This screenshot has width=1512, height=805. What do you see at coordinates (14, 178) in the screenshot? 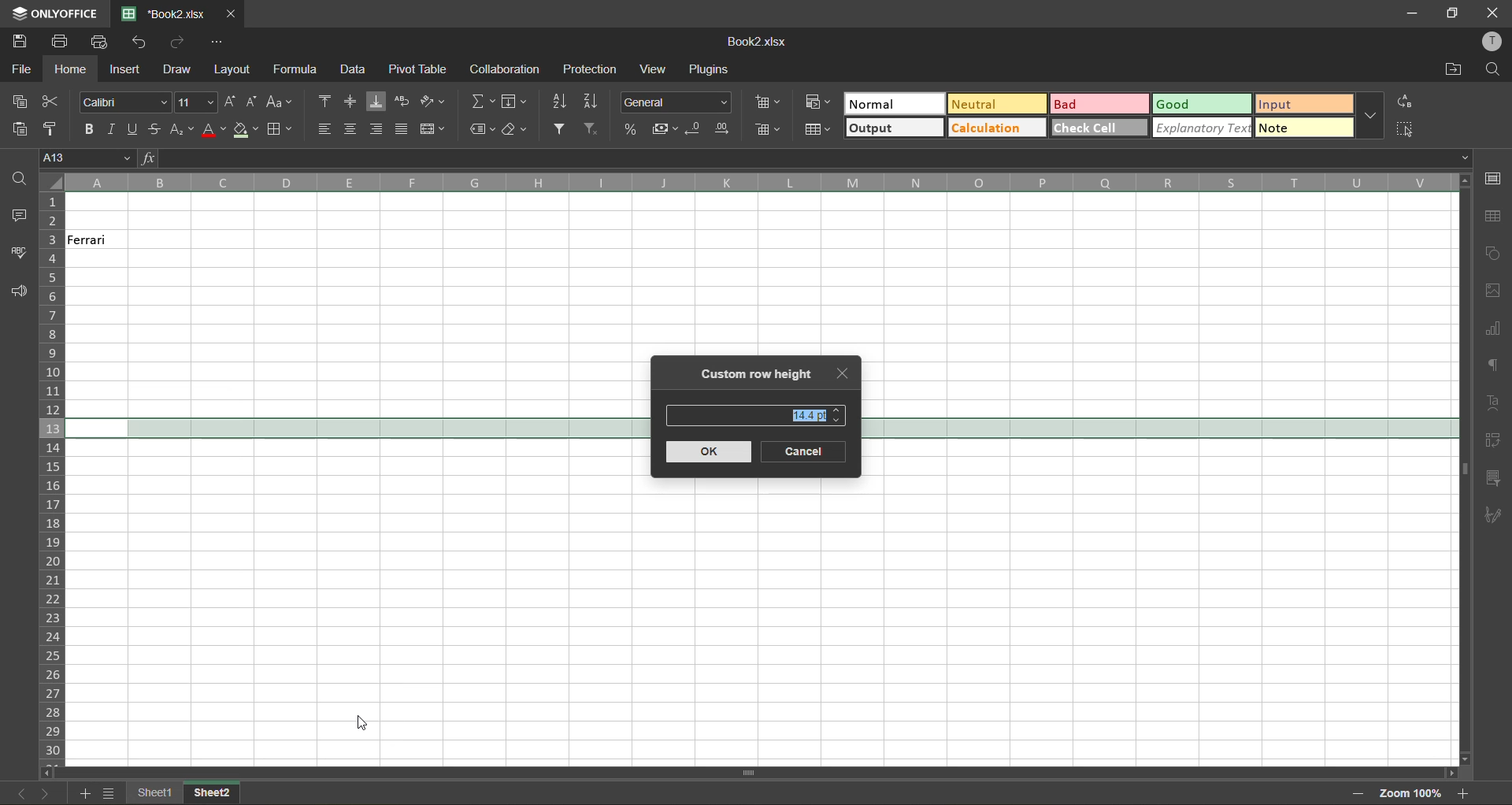
I see `find` at bounding box center [14, 178].